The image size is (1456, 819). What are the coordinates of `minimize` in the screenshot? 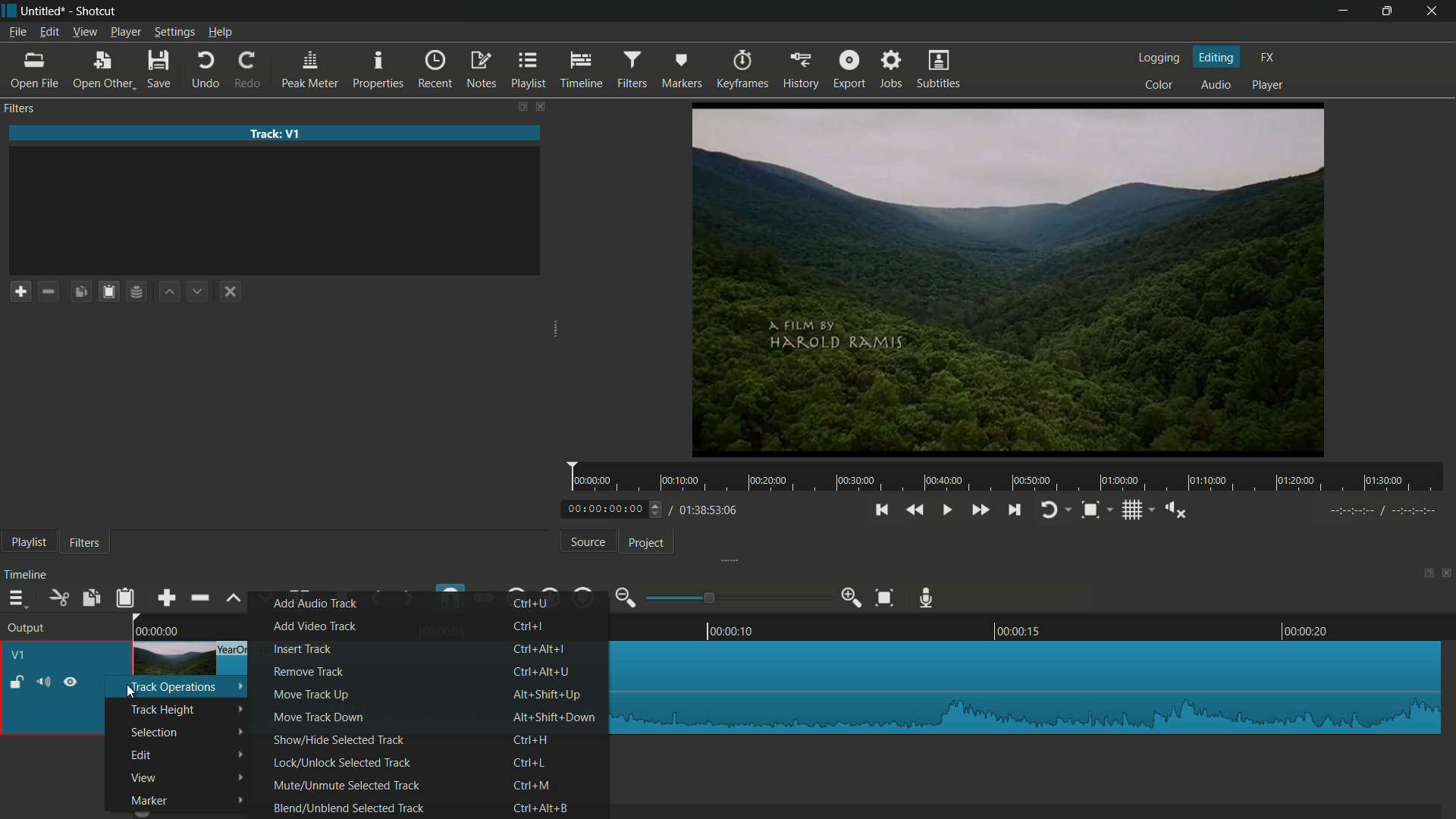 It's located at (1346, 11).